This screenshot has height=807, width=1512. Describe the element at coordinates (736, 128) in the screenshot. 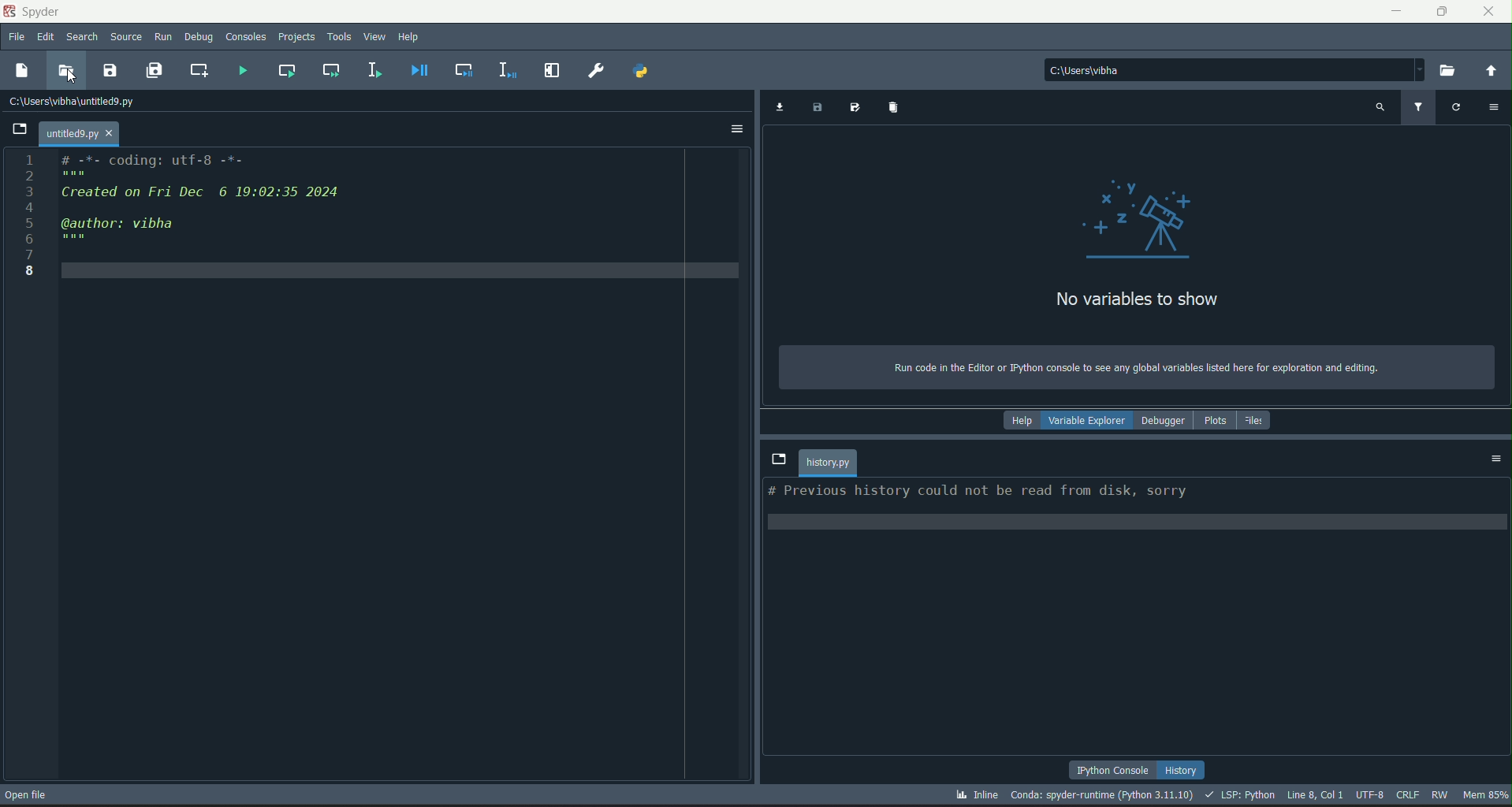

I see `options` at that location.